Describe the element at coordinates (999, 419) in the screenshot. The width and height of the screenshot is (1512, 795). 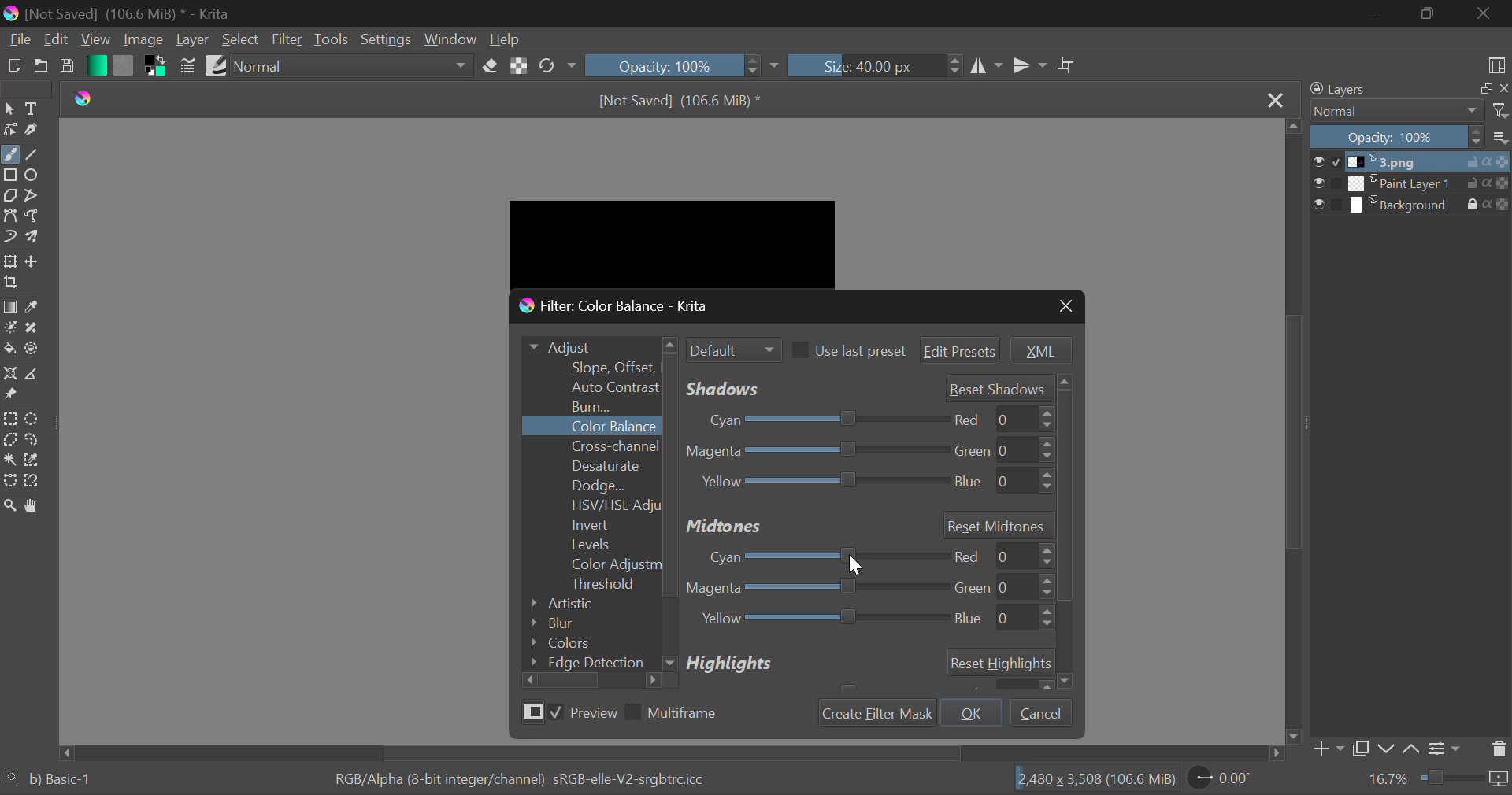
I see `red` at that location.